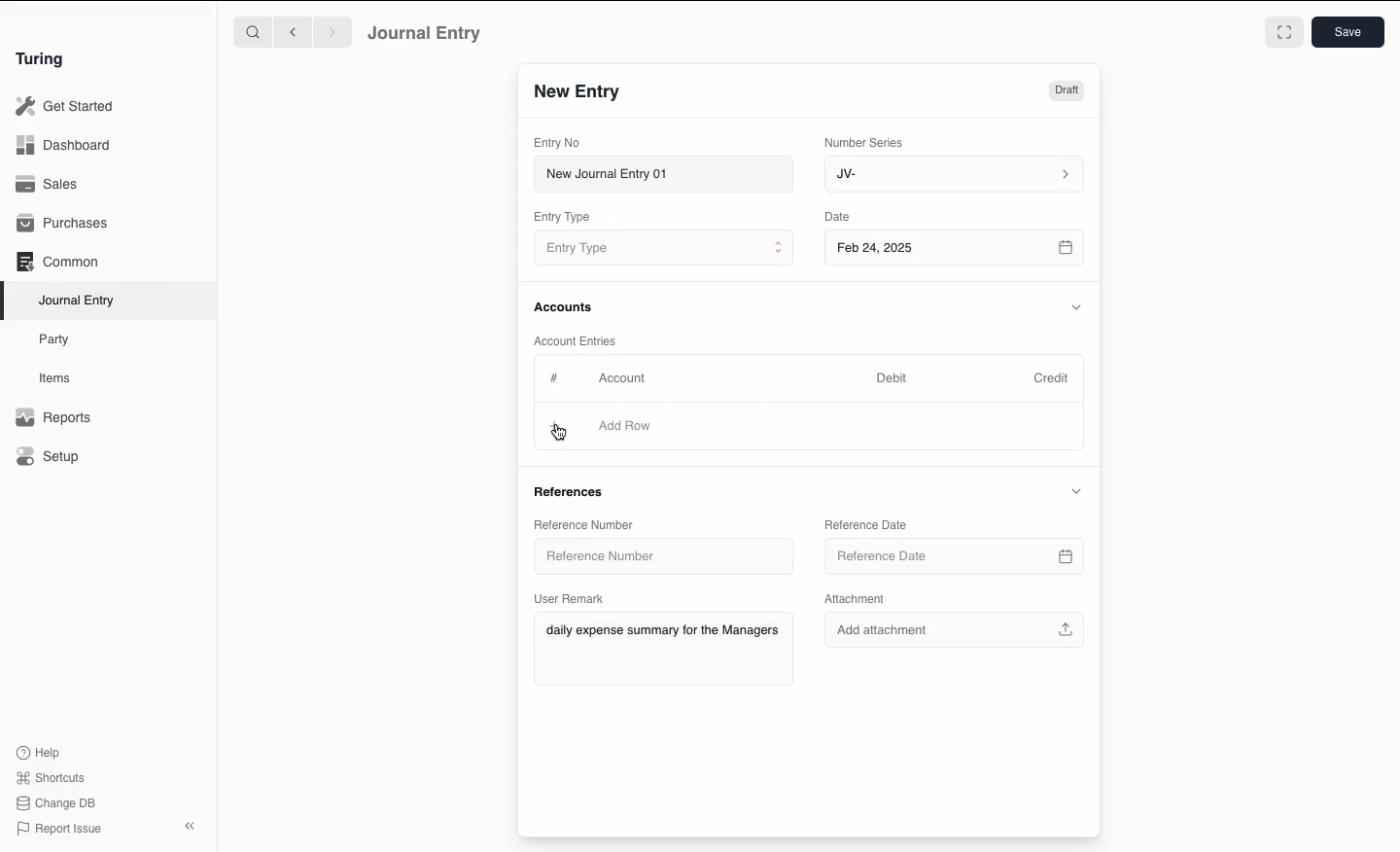 The height and width of the screenshot is (852, 1400). Describe the element at coordinates (1348, 32) in the screenshot. I see `Save` at that location.